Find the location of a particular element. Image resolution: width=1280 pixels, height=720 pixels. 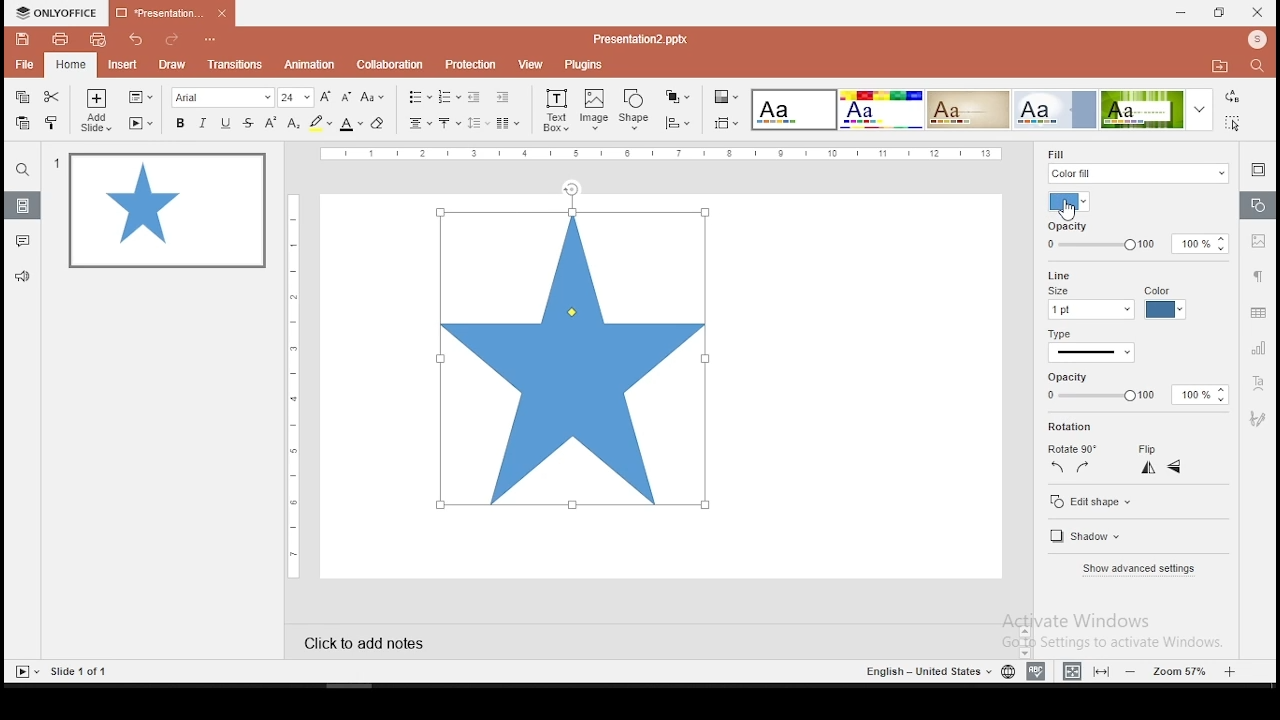

slide 1 is located at coordinates (170, 213).